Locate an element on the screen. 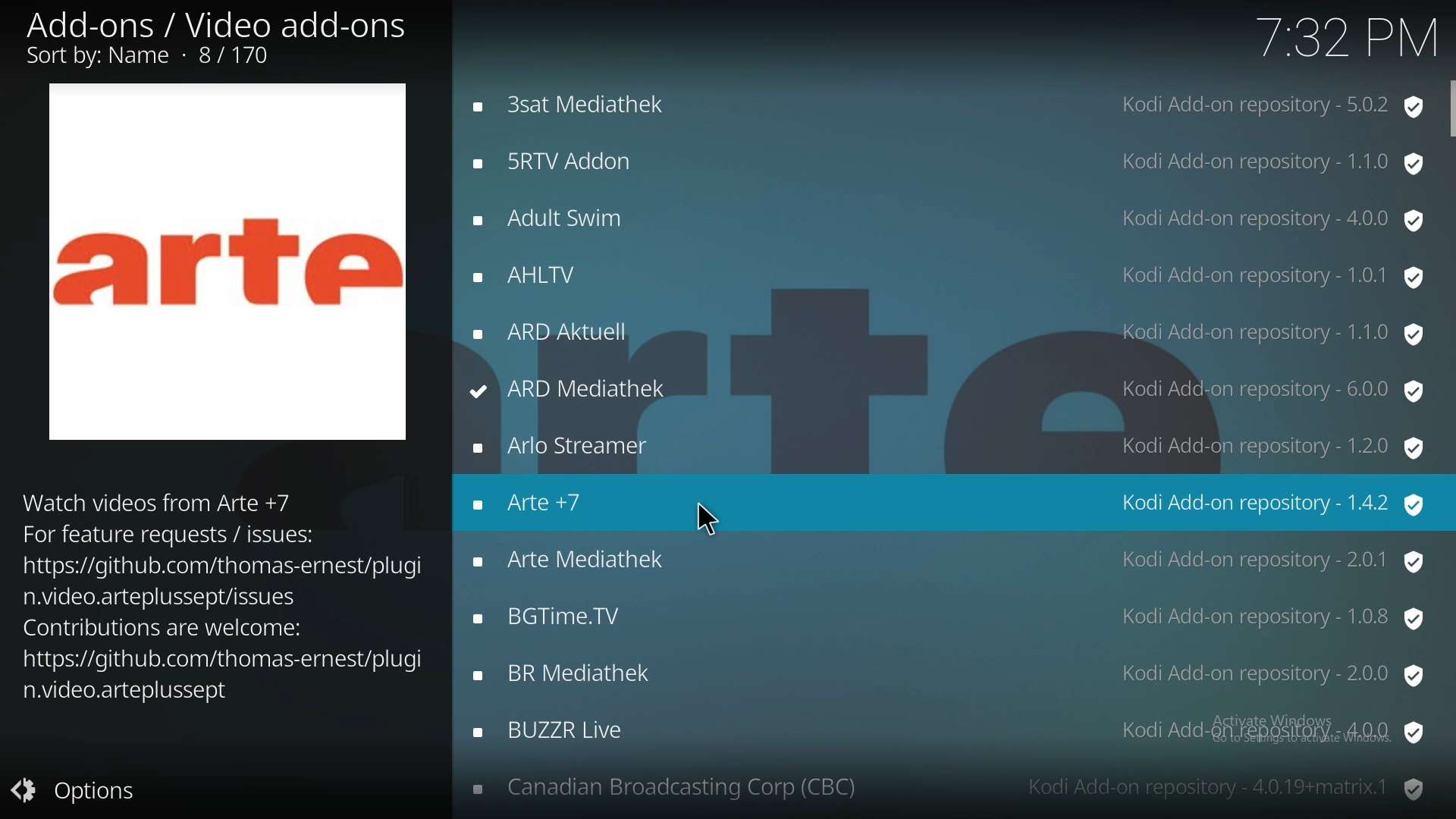 Image resolution: width=1456 pixels, height=819 pixels. add on is located at coordinates (951, 616).